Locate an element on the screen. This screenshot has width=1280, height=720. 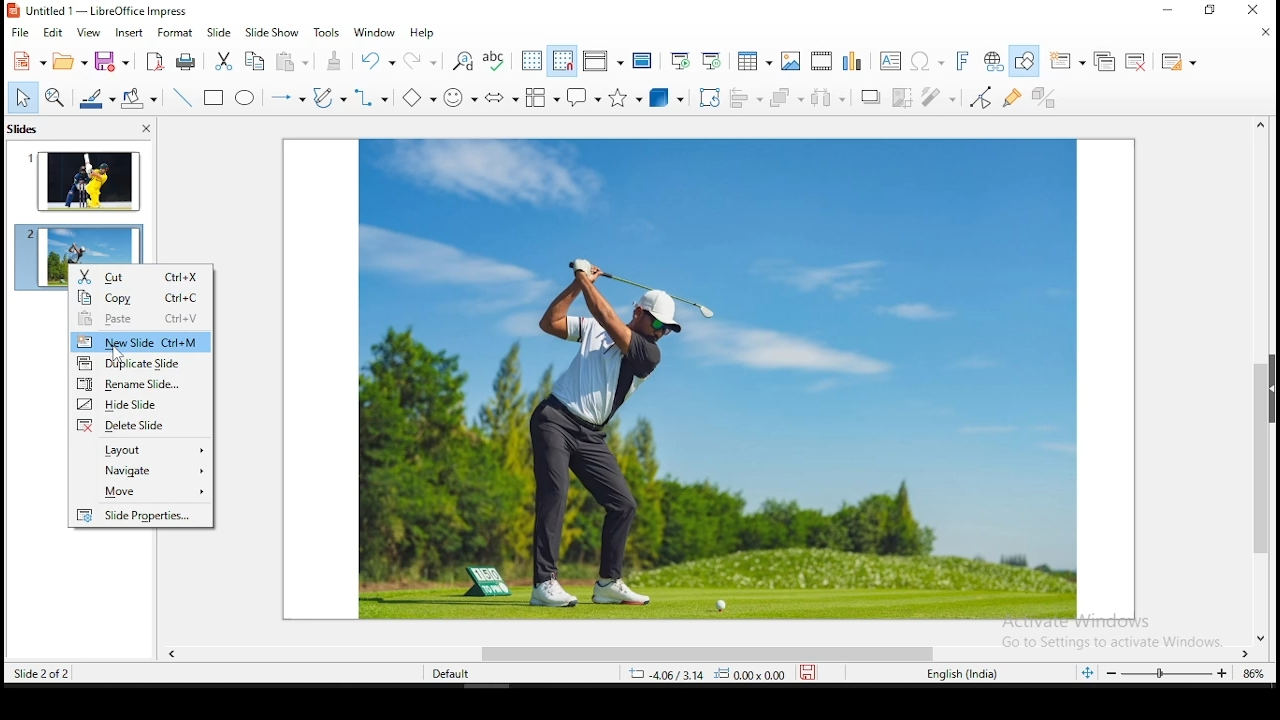
cut is located at coordinates (224, 60).